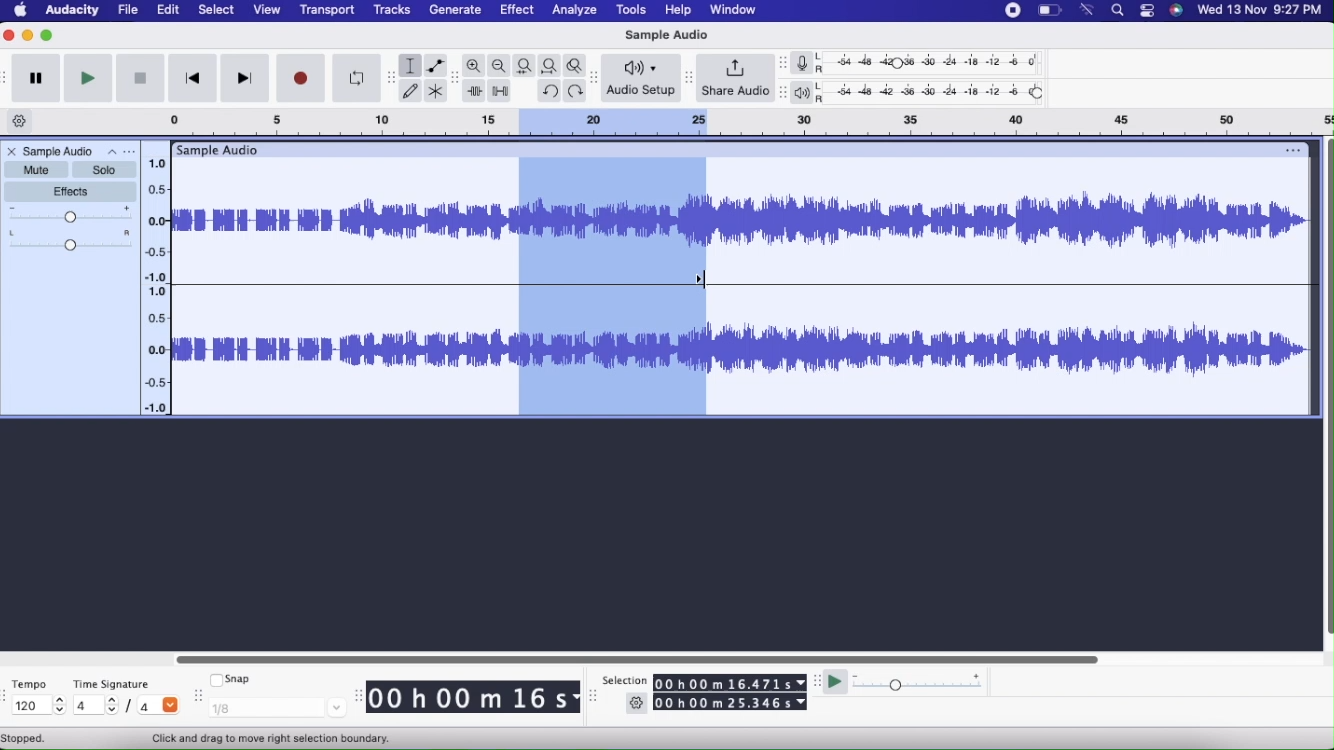 The height and width of the screenshot is (750, 1334). What do you see at coordinates (34, 682) in the screenshot?
I see `Tempo` at bounding box center [34, 682].